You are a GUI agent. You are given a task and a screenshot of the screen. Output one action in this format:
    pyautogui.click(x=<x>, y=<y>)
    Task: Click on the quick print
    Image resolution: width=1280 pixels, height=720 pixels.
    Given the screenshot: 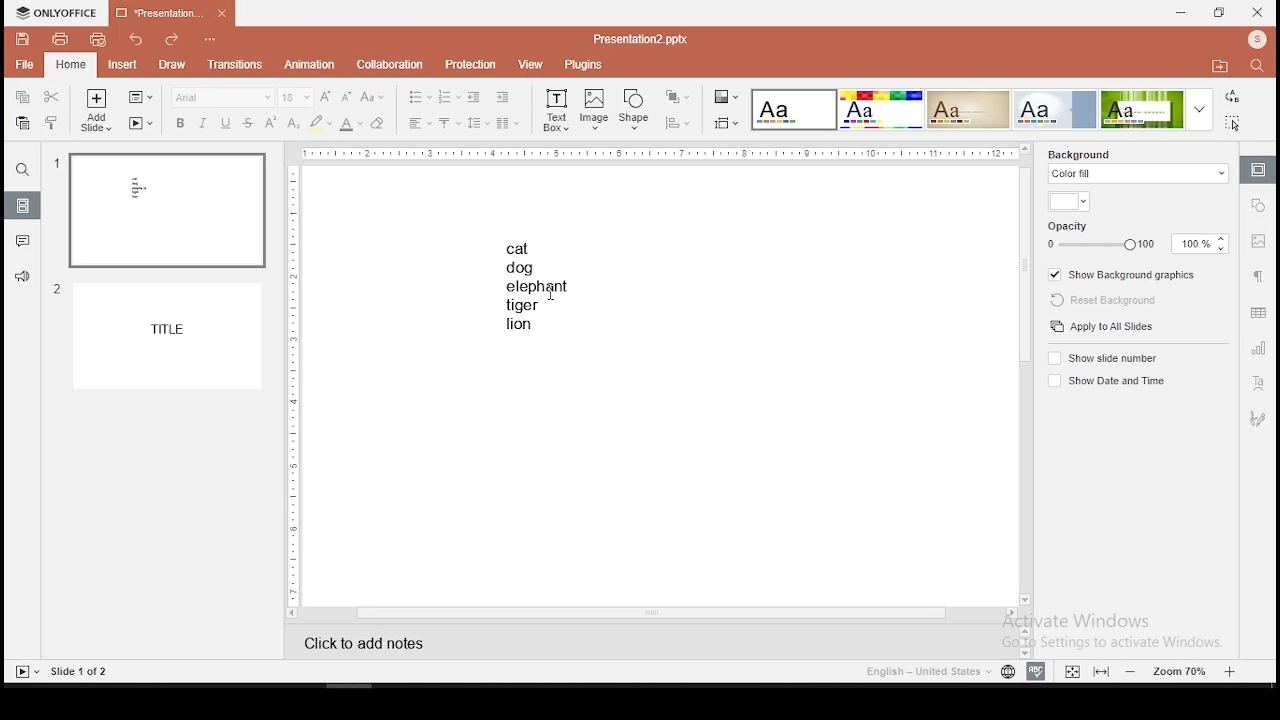 What is the action you would take?
    pyautogui.click(x=98, y=39)
    